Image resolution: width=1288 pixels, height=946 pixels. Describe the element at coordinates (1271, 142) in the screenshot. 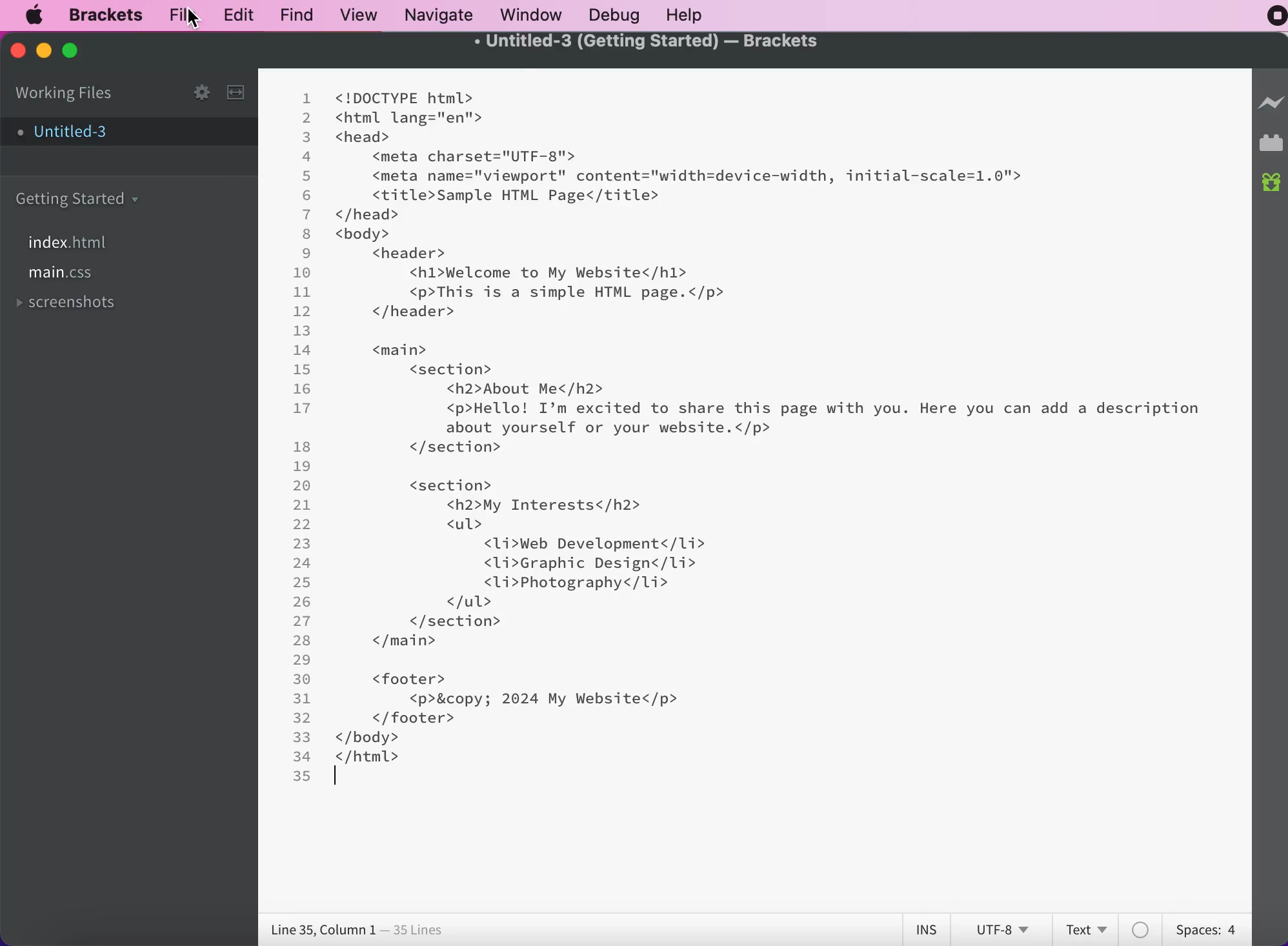

I see `extension manager` at that location.